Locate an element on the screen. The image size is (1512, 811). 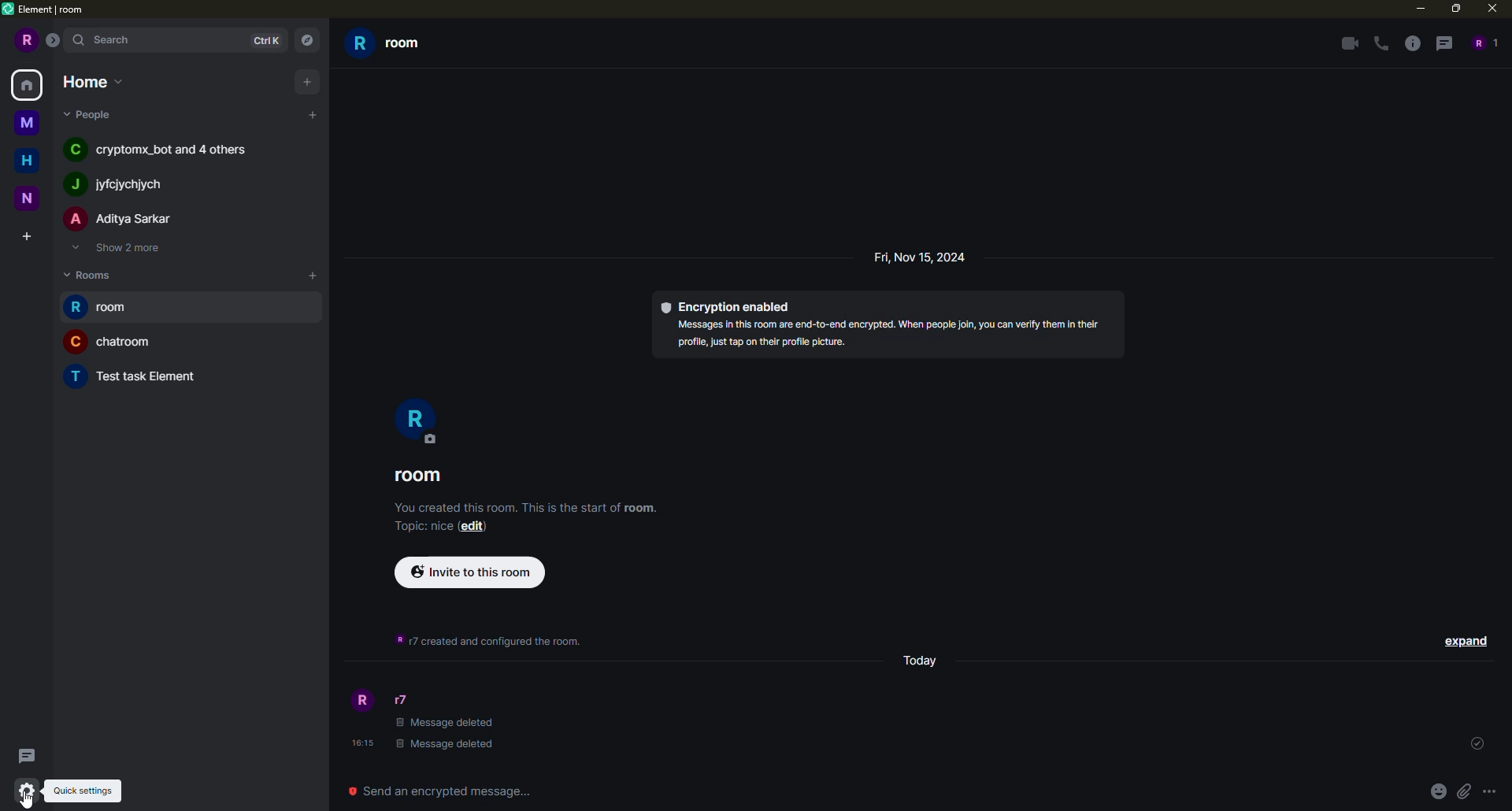
home is located at coordinates (30, 84).